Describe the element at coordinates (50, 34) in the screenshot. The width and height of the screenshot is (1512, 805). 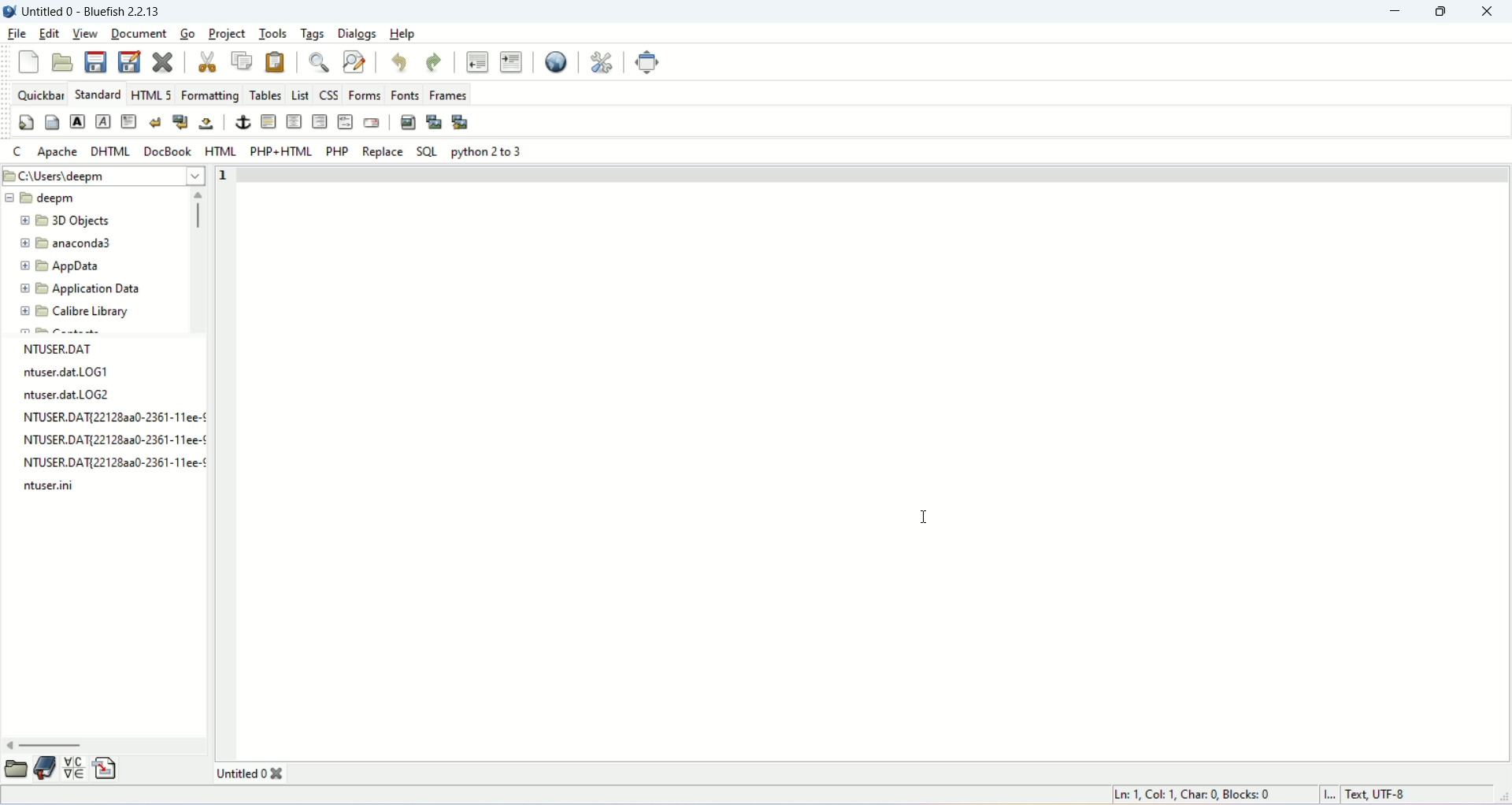
I see `edit` at that location.